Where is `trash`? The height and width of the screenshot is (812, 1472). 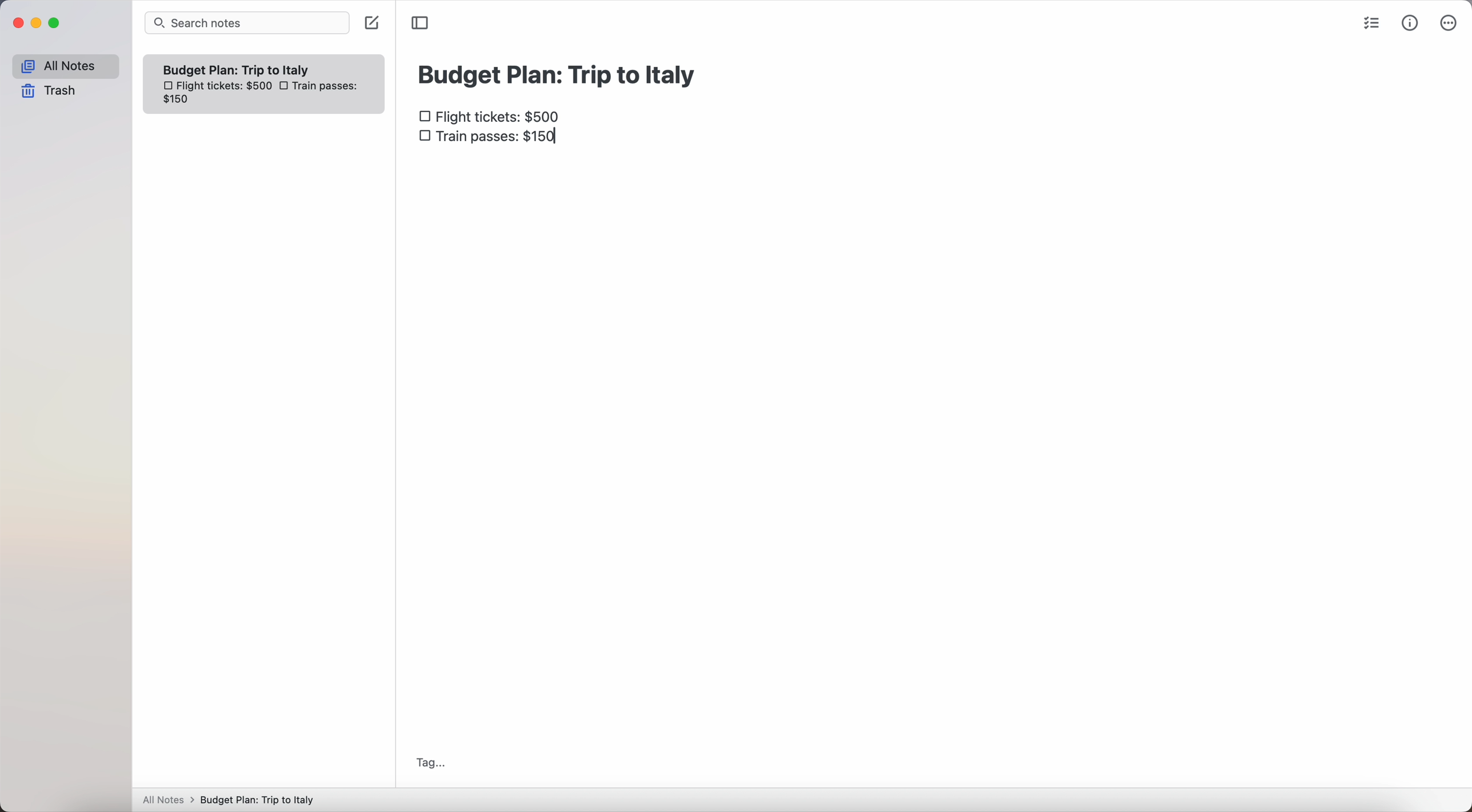
trash is located at coordinates (49, 91).